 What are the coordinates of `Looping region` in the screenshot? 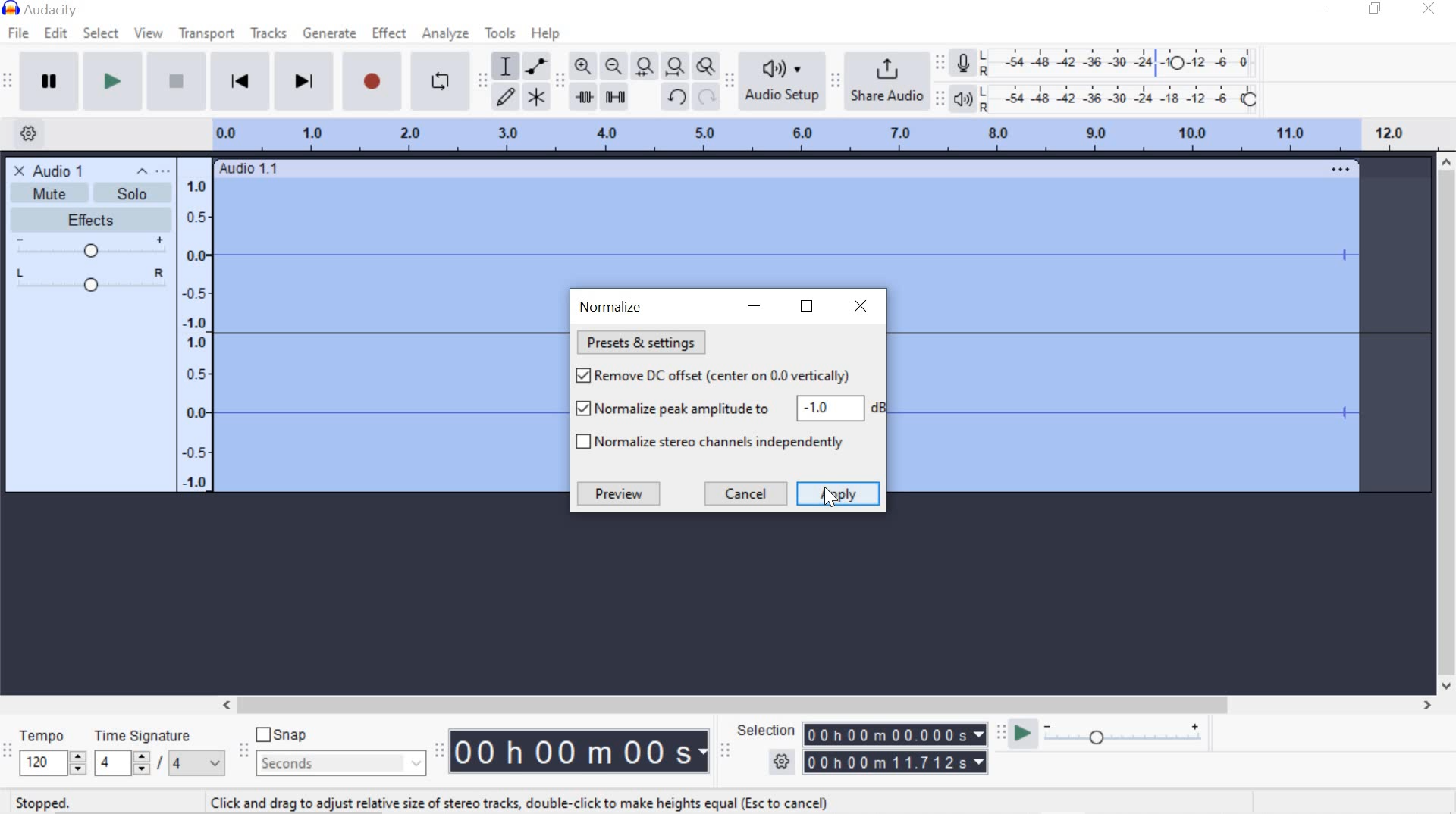 It's located at (831, 133).